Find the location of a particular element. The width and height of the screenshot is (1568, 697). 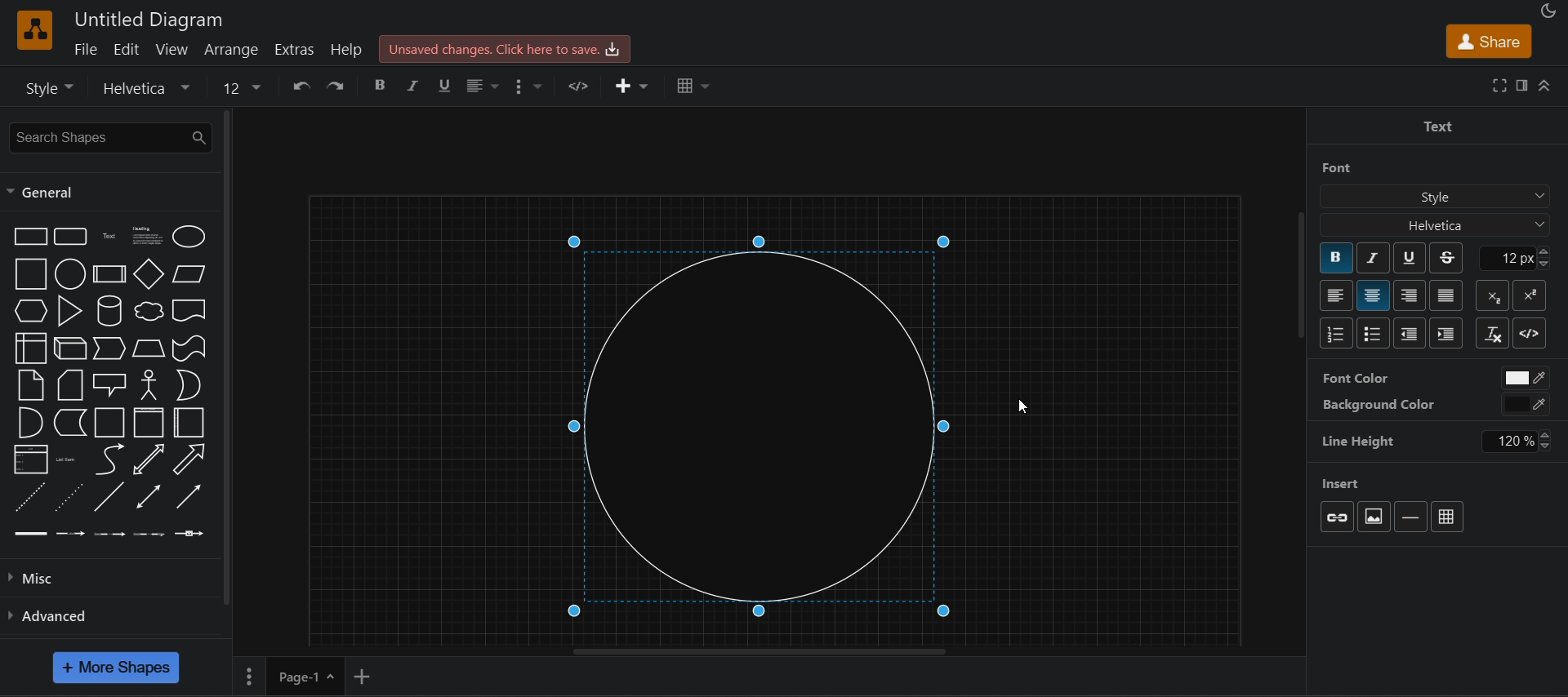

tape is located at coordinates (193, 348).